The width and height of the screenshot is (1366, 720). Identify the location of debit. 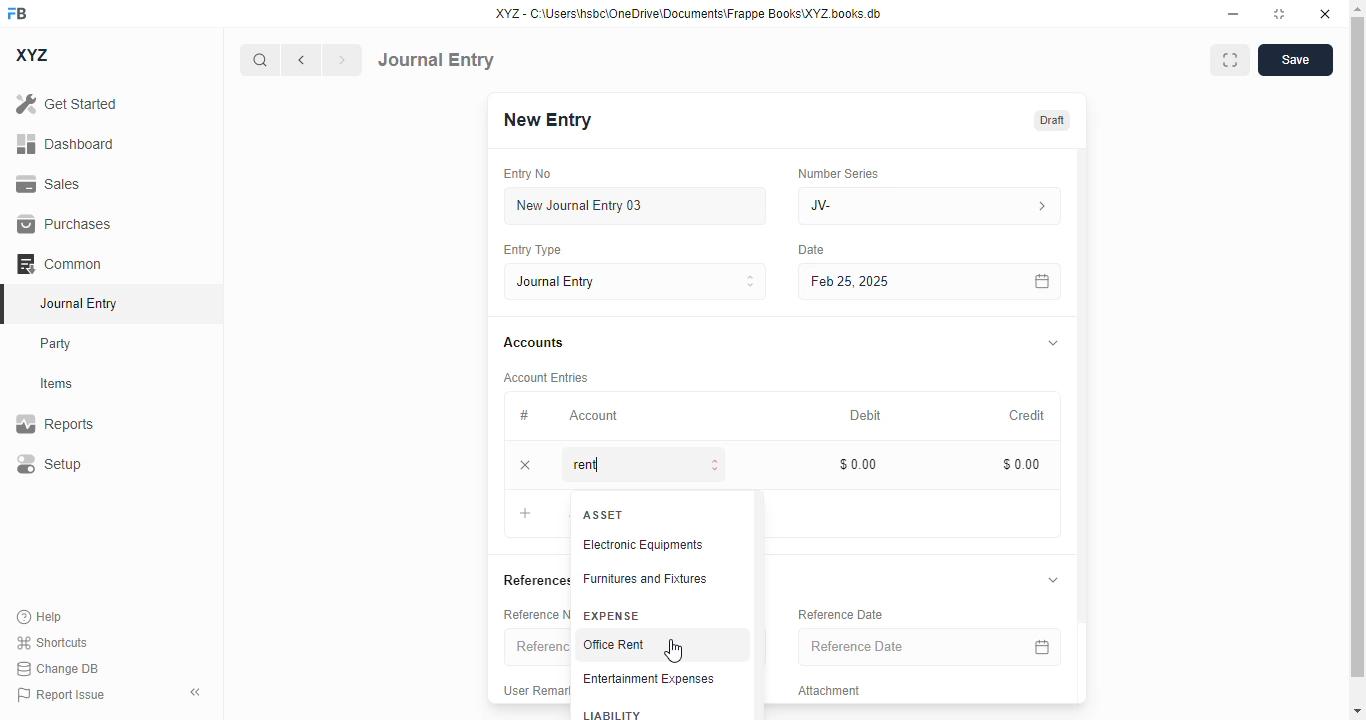
(864, 415).